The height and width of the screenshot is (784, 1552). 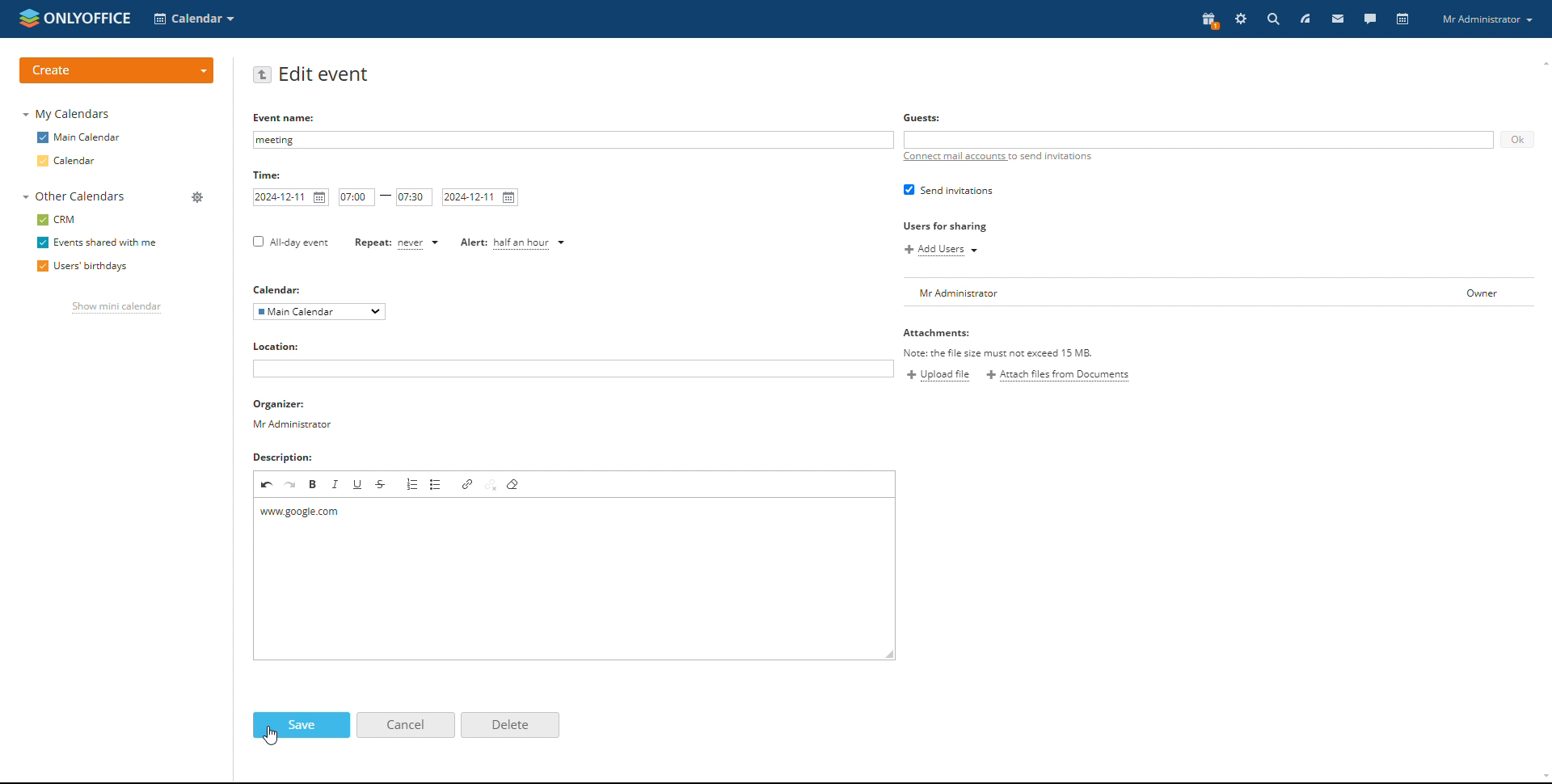 I want to click on Description:, so click(x=284, y=456).